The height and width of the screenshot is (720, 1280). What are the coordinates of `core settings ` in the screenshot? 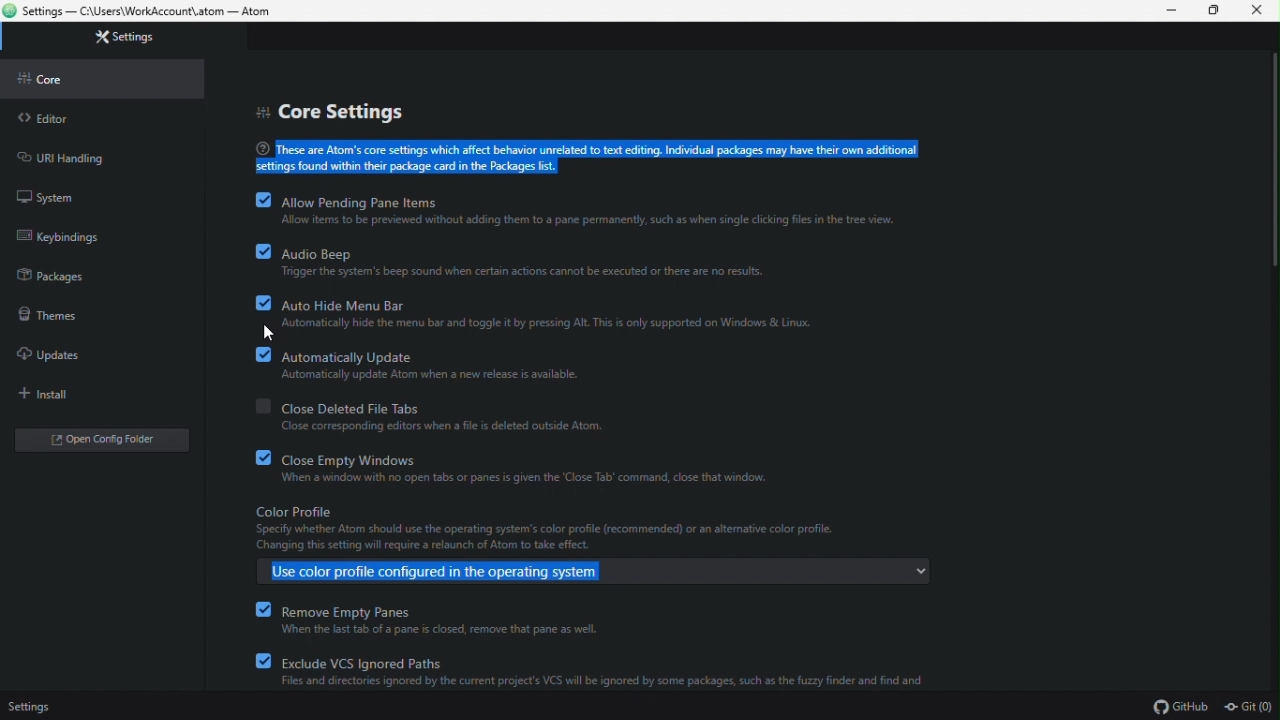 It's located at (330, 112).